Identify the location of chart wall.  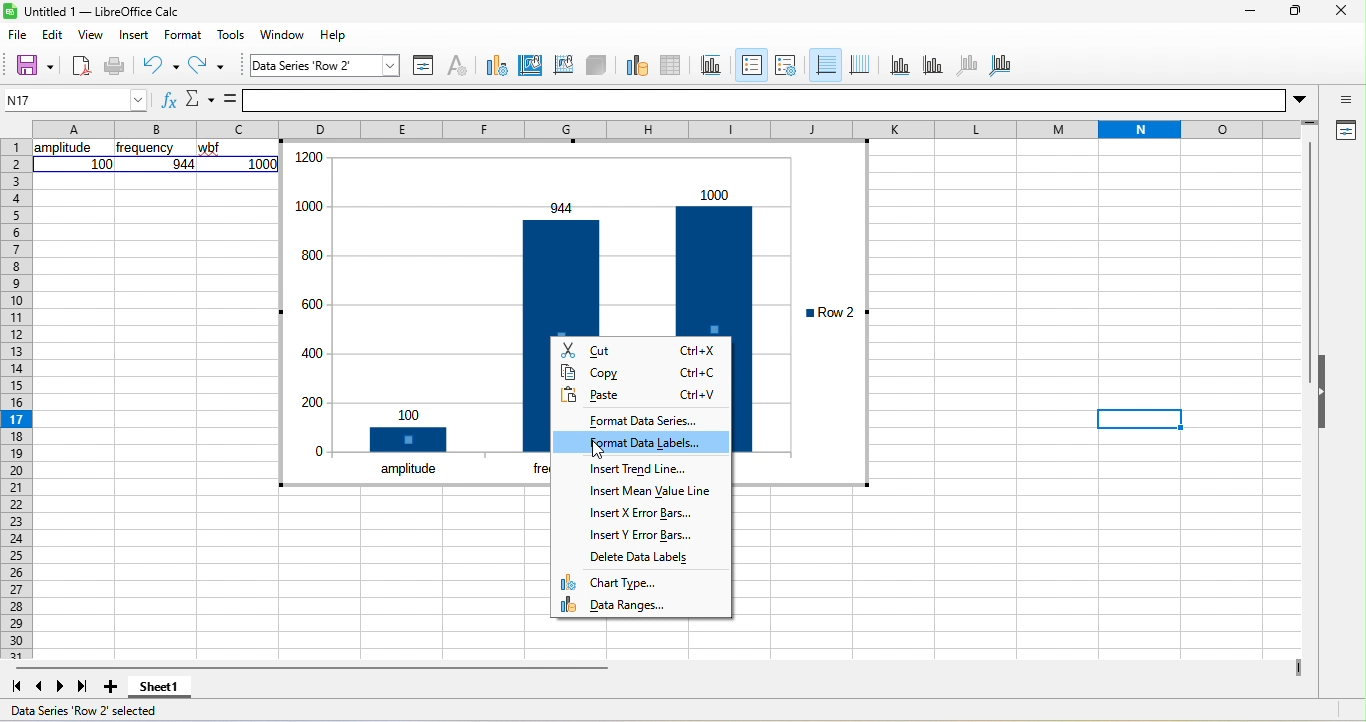
(563, 66).